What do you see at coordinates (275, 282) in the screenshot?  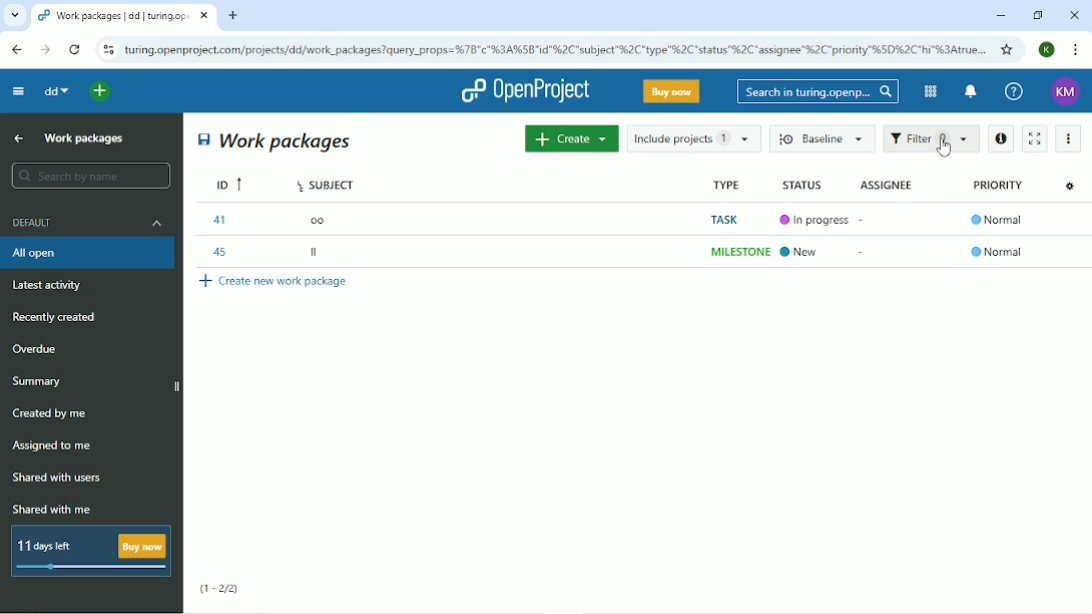 I see `Create new work package` at bounding box center [275, 282].